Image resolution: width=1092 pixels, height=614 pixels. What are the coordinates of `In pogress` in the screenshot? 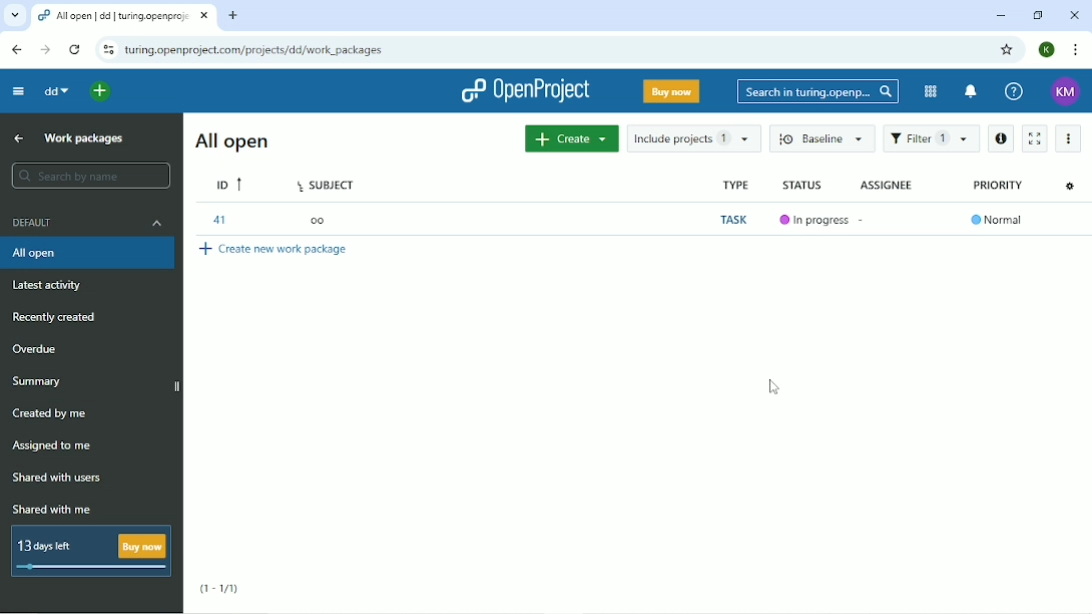 It's located at (812, 220).